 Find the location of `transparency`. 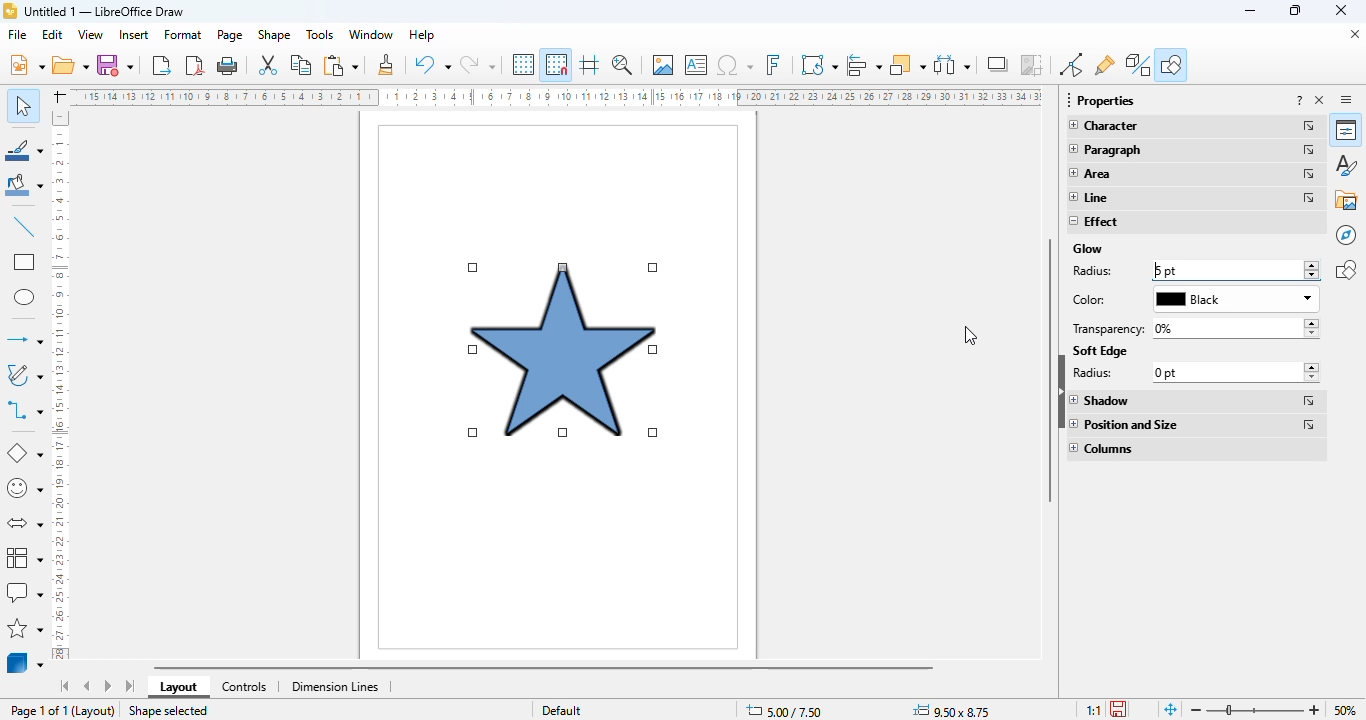

transparency is located at coordinates (1110, 328).